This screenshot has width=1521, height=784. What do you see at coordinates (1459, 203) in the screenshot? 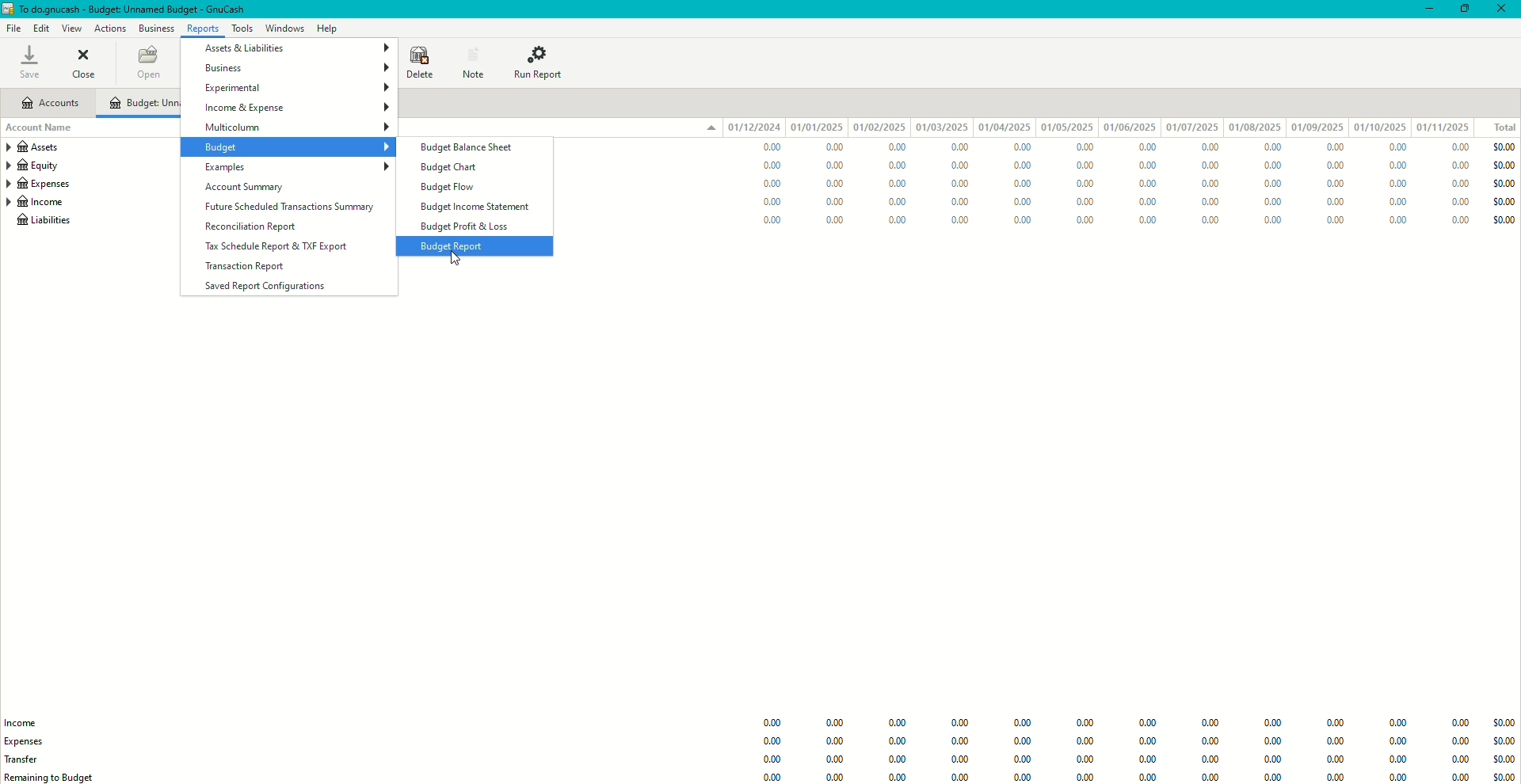
I see `0.00` at bounding box center [1459, 203].